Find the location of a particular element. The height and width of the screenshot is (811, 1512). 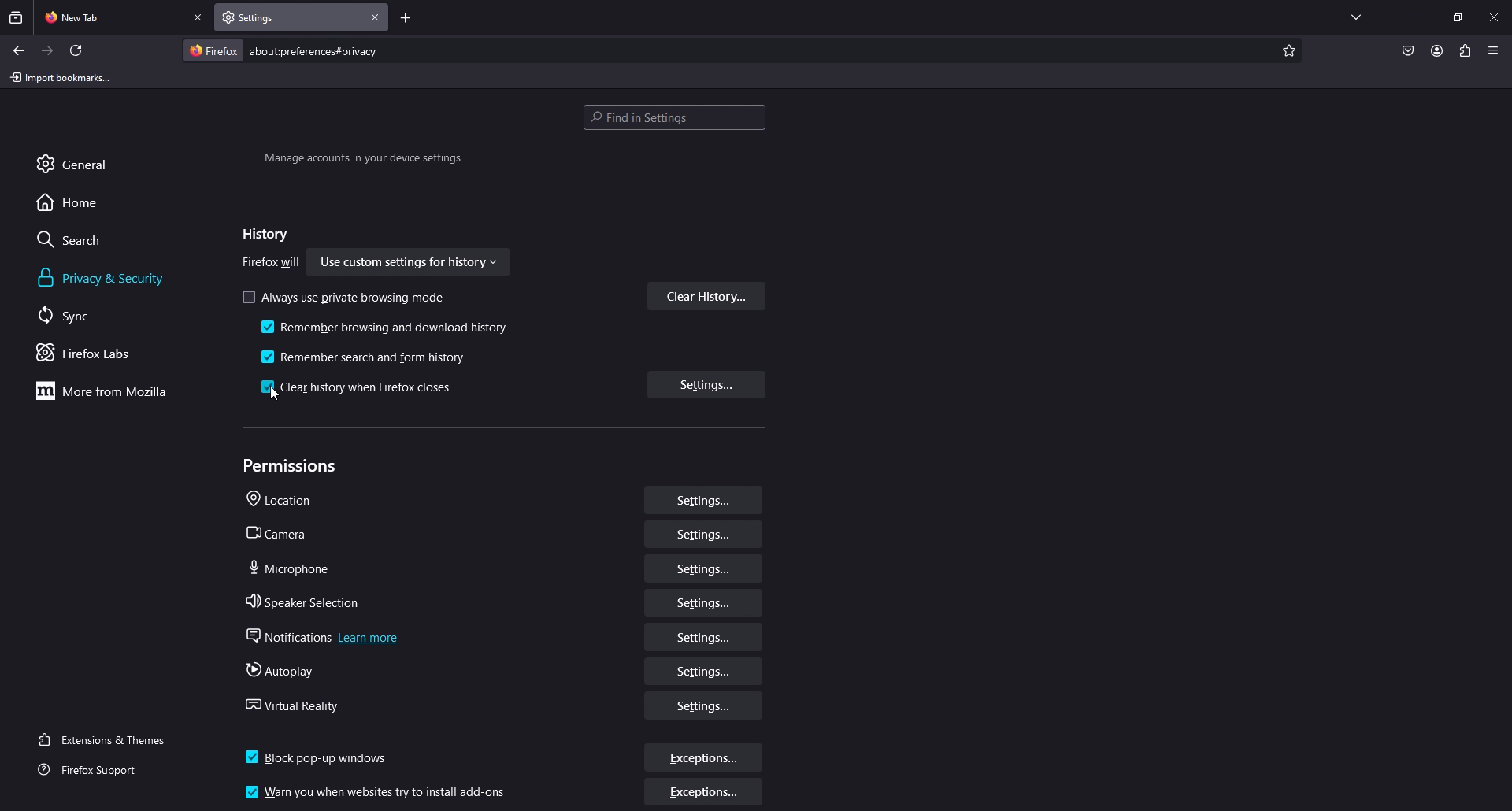

refresh is located at coordinates (76, 50).